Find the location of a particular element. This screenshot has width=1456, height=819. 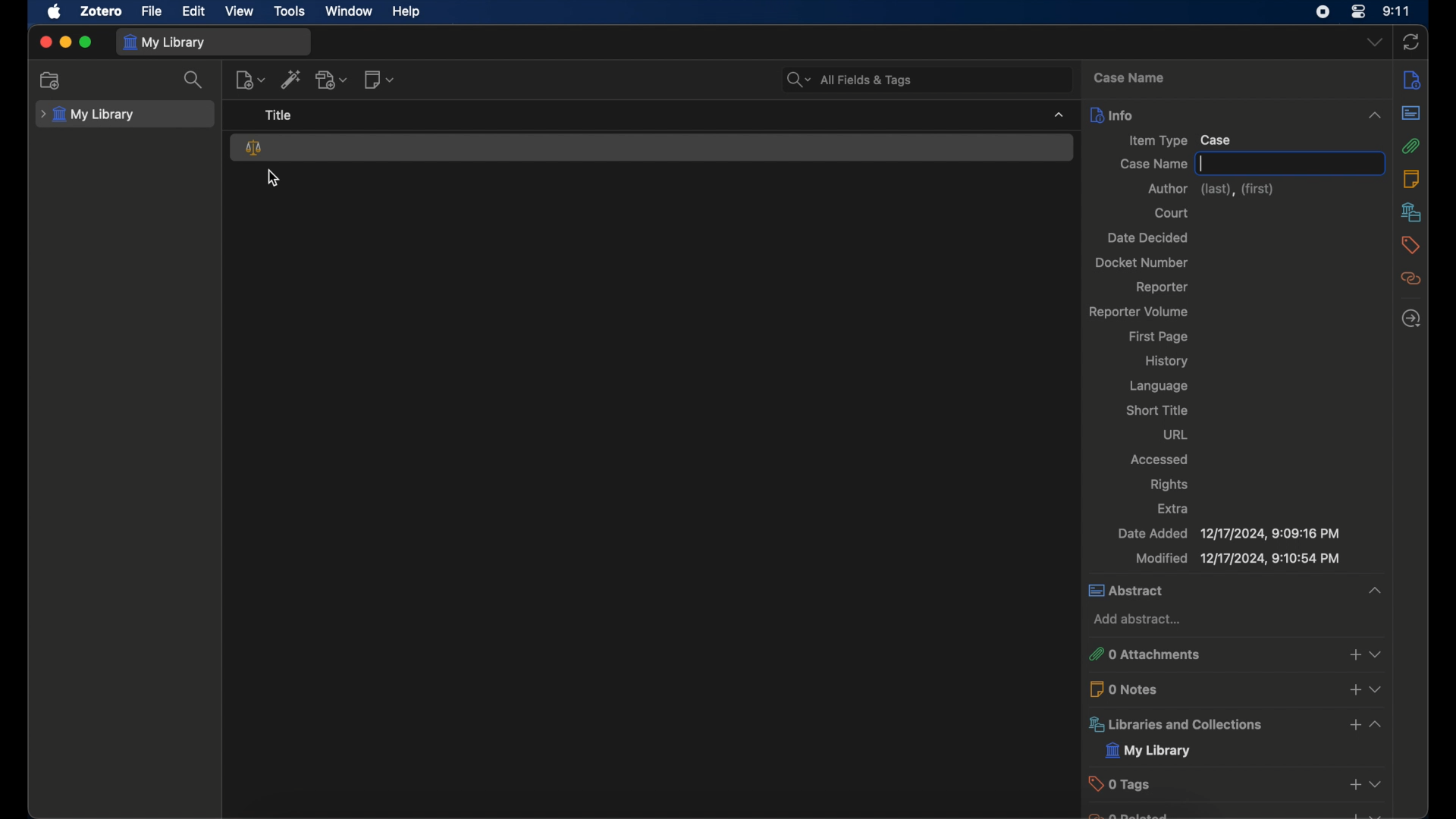

abstract is located at coordinates (1237, 590).